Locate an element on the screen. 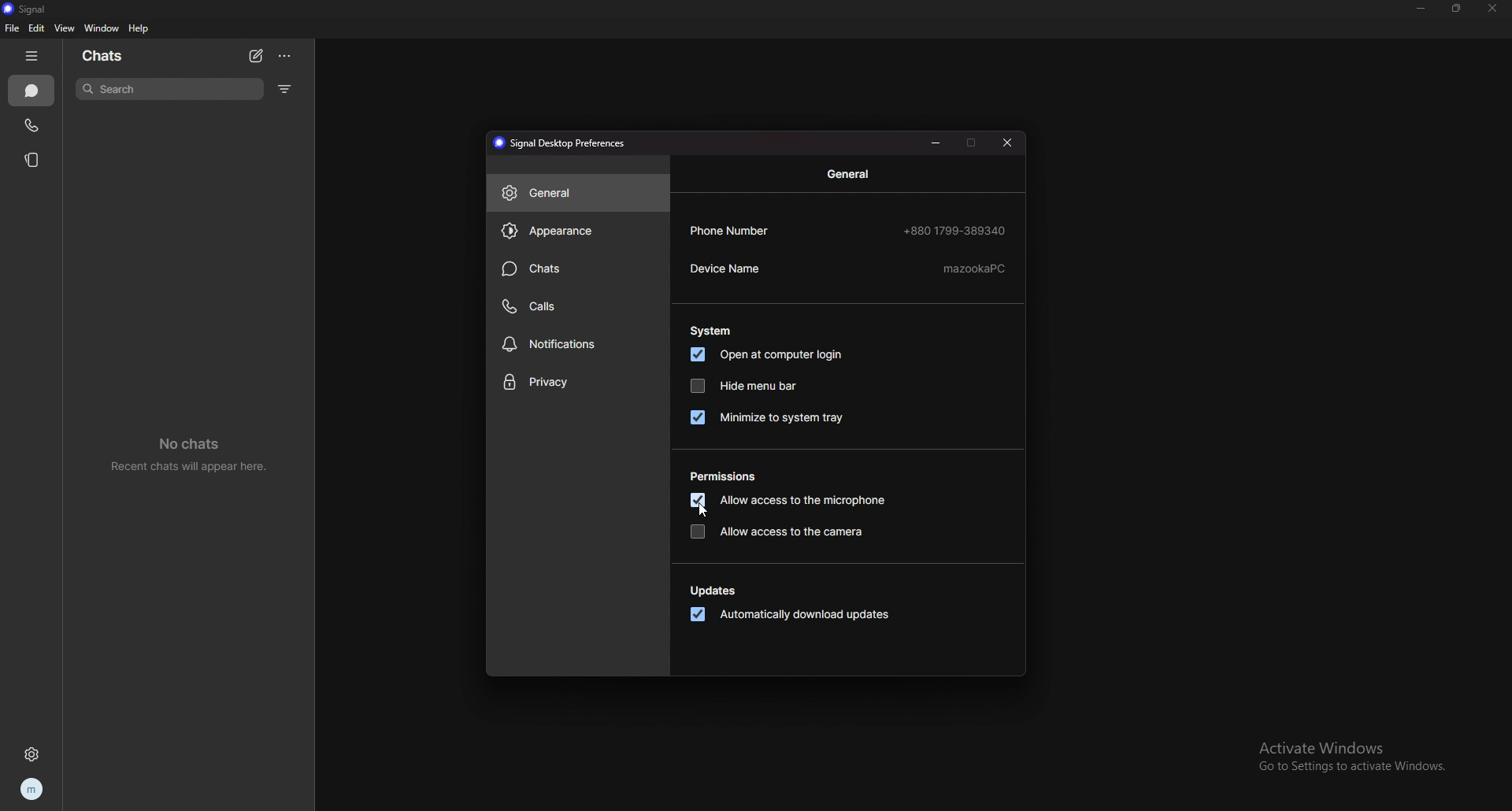 This screenshot has width=1512, height=811. calls is located at coordinates (576, 308).